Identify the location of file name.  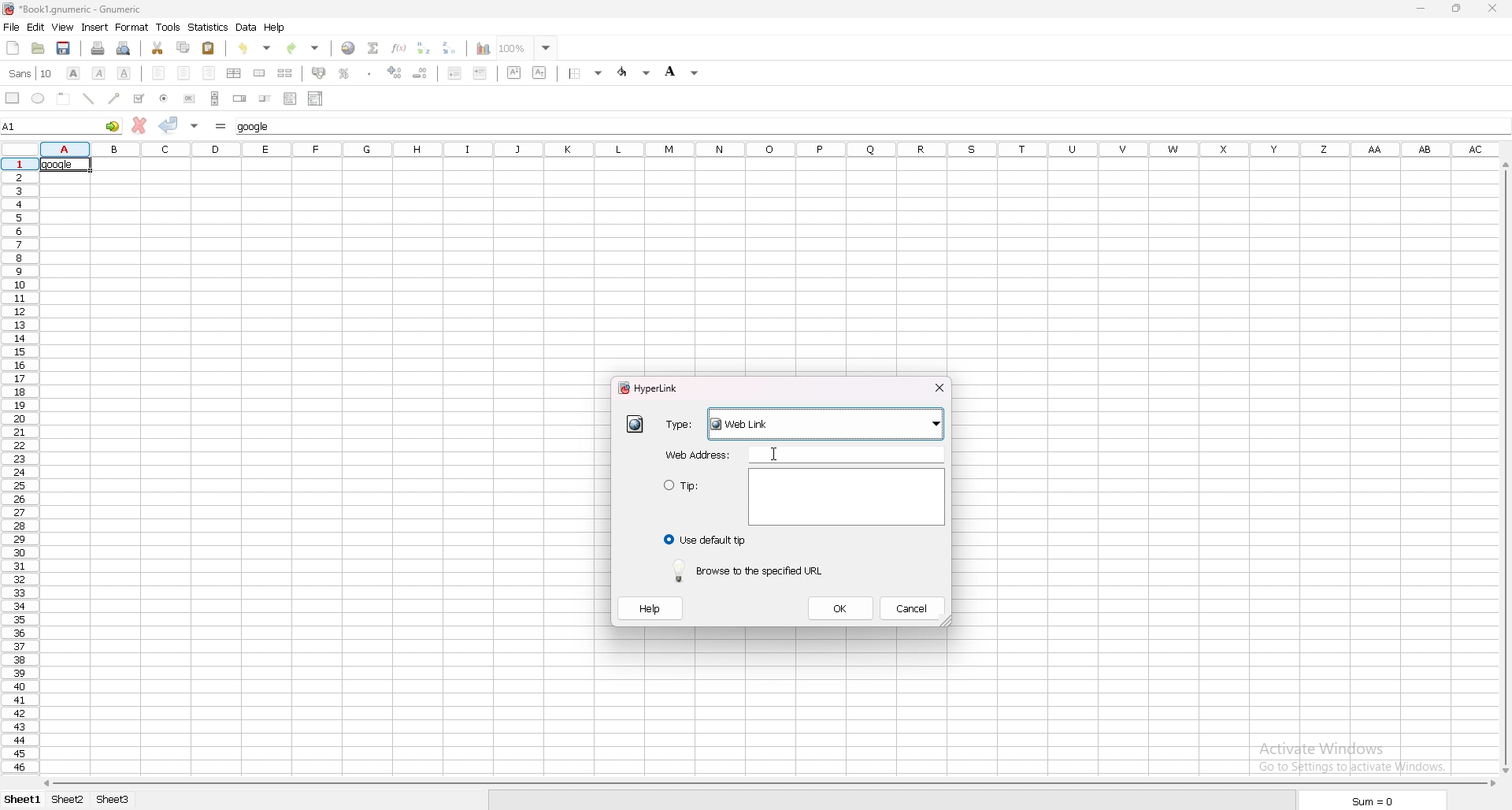
(120, 9).